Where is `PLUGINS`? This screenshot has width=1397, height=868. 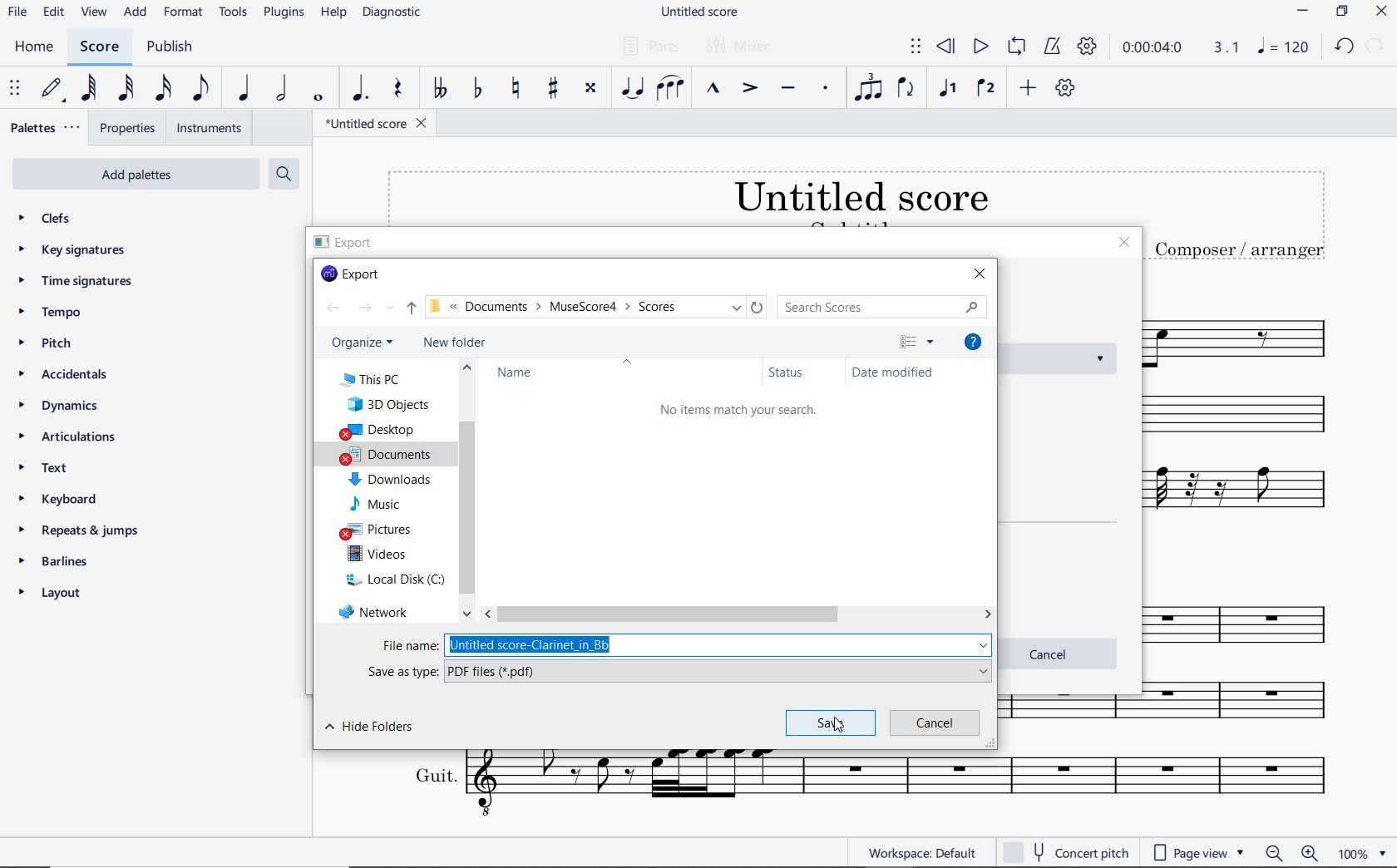
PLUGINS is located at coordinates (286, 16).